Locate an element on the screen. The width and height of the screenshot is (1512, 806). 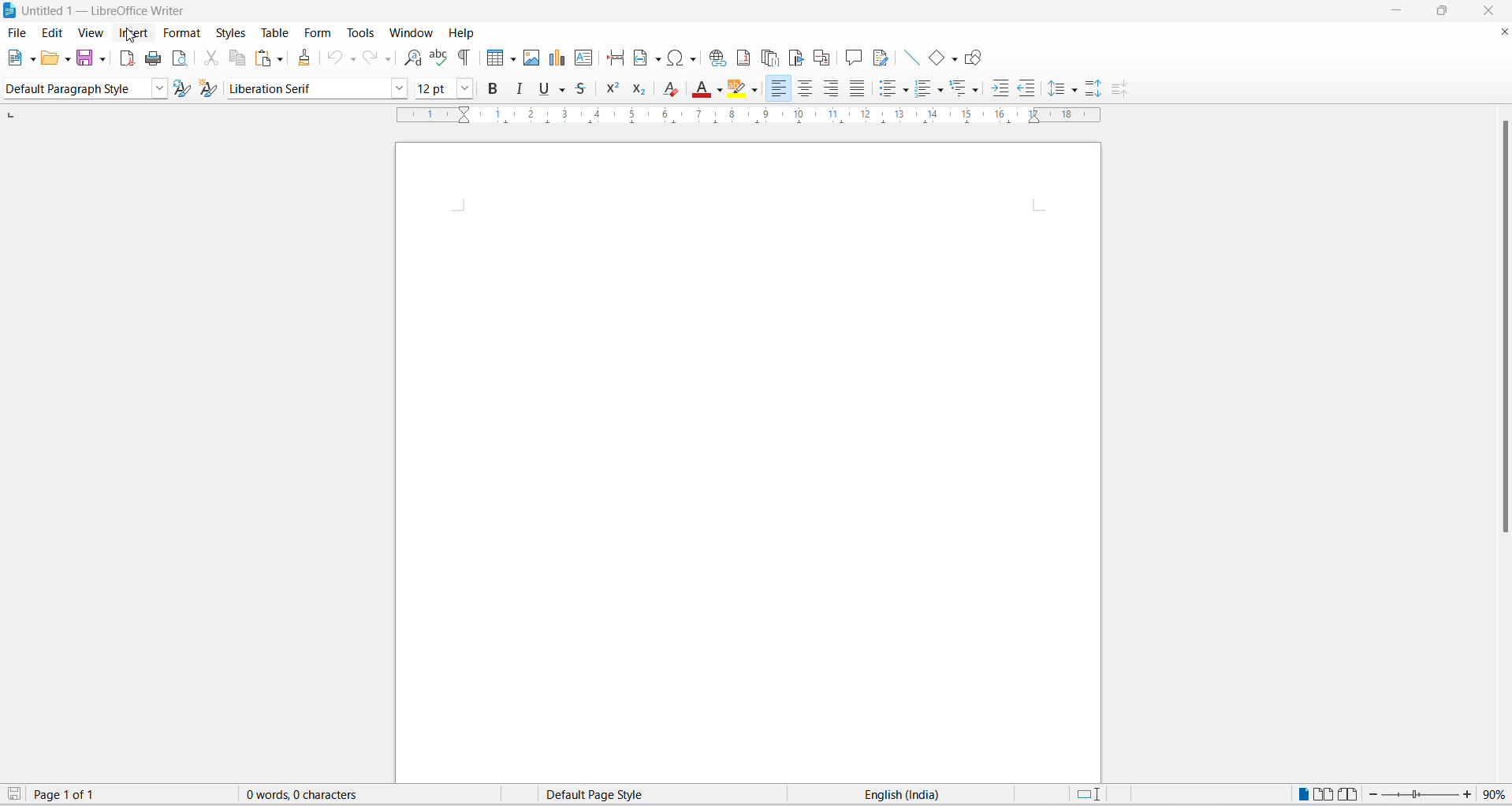
update selected style is located at coordinates (181, 88).